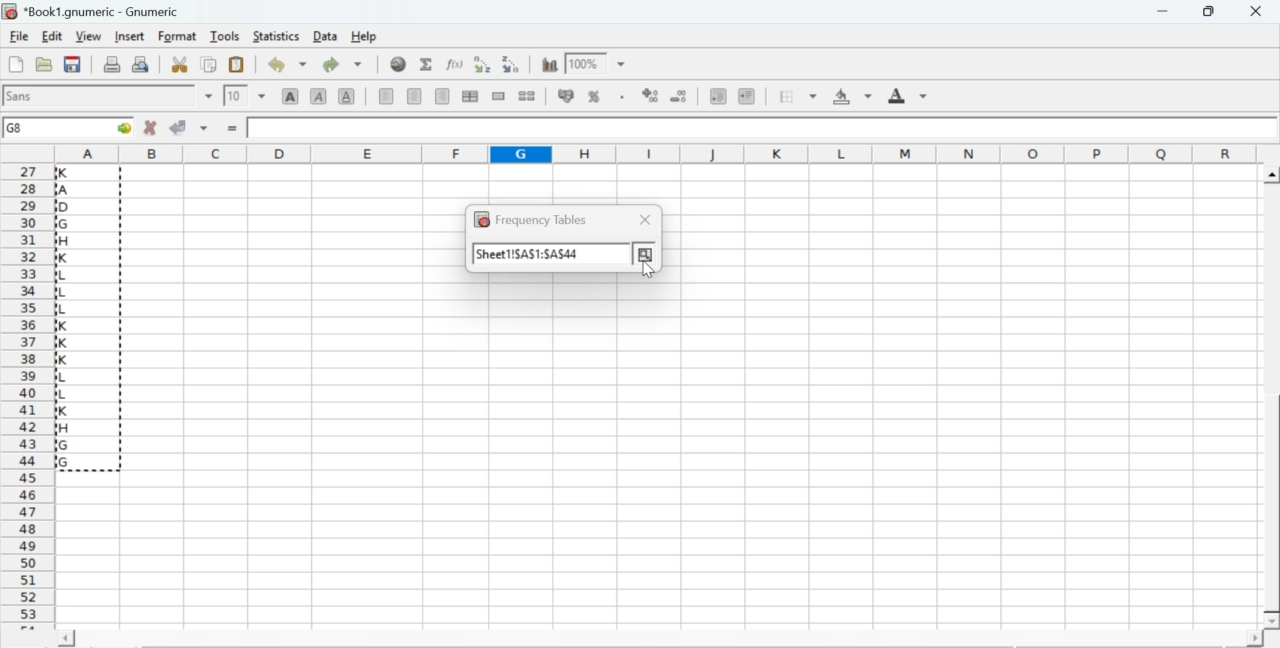 Image resolution: width=1280 pixels, height=648 pixels. What do you see at coordinates (70, 173) in the screenshot?
I see `cursor` at bounding box center [70, 173].